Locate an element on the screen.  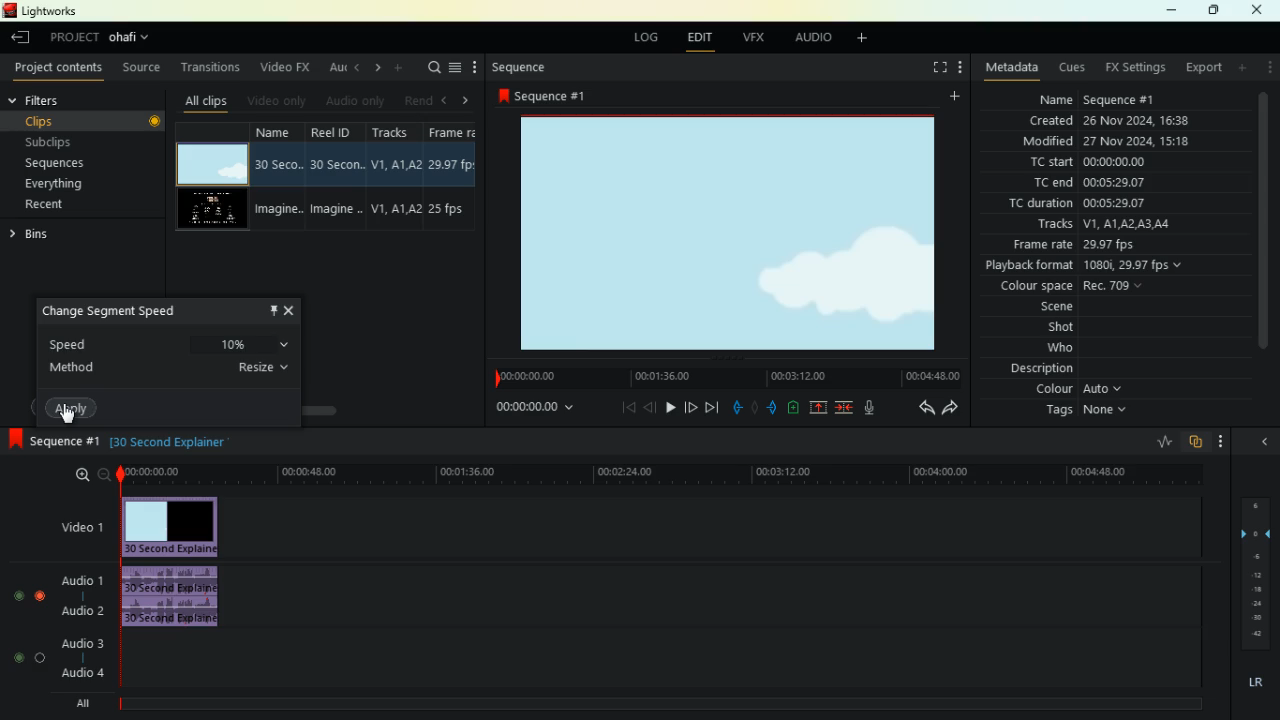
scene is located at coordinates (1035, 309).